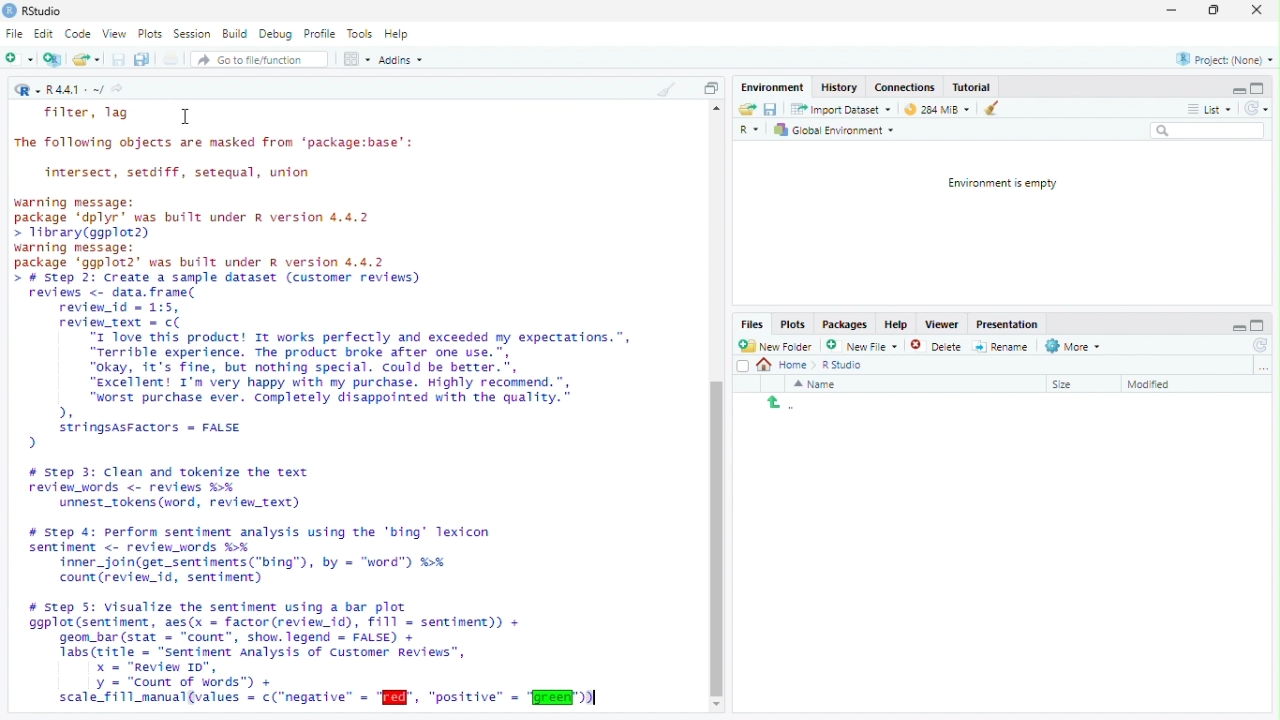  Describe the element at coordinates (860, 345) in the screenshot. I see `New File` at that location.